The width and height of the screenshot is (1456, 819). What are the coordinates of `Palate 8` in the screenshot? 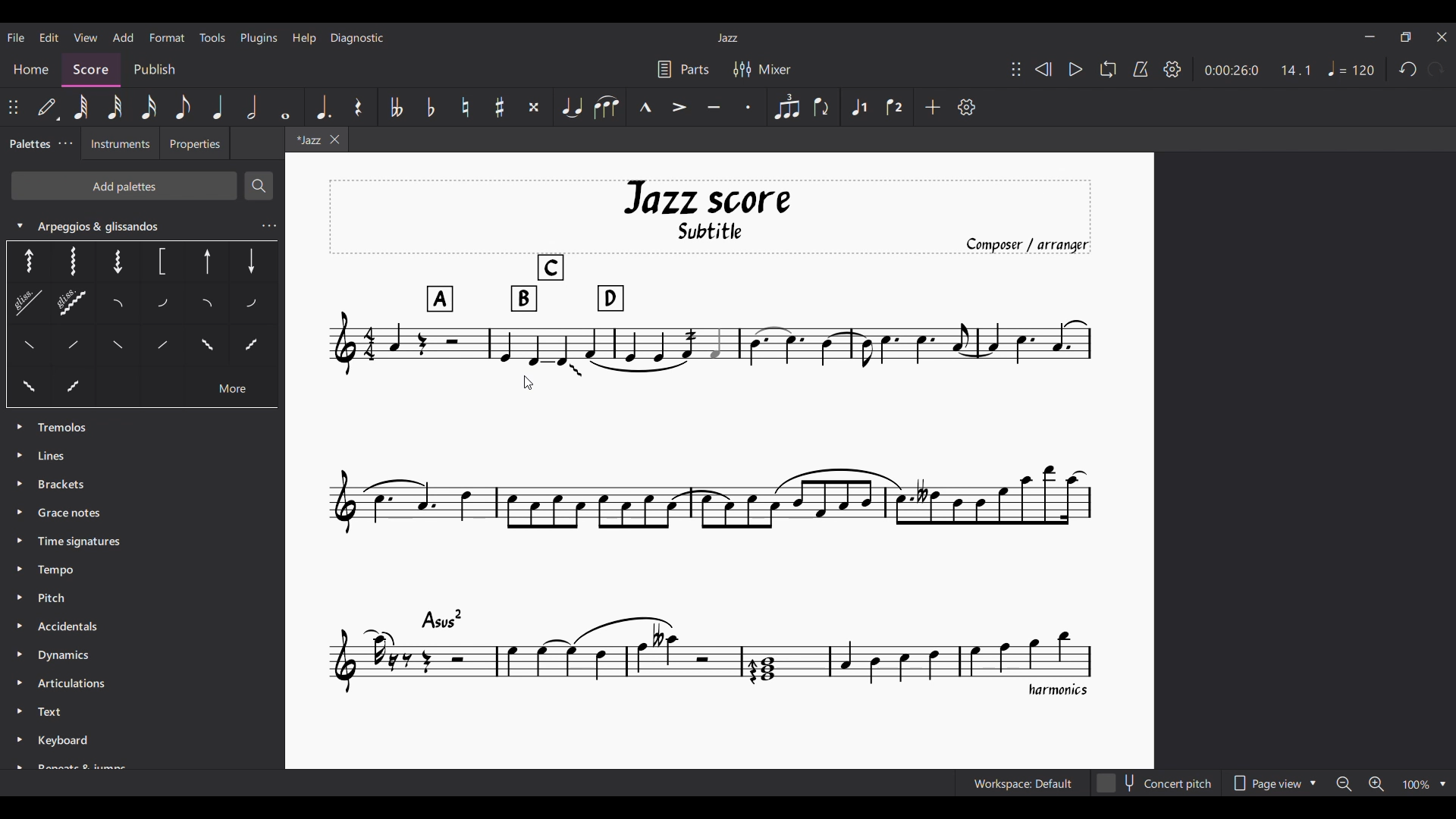 It's located at (74, 305).